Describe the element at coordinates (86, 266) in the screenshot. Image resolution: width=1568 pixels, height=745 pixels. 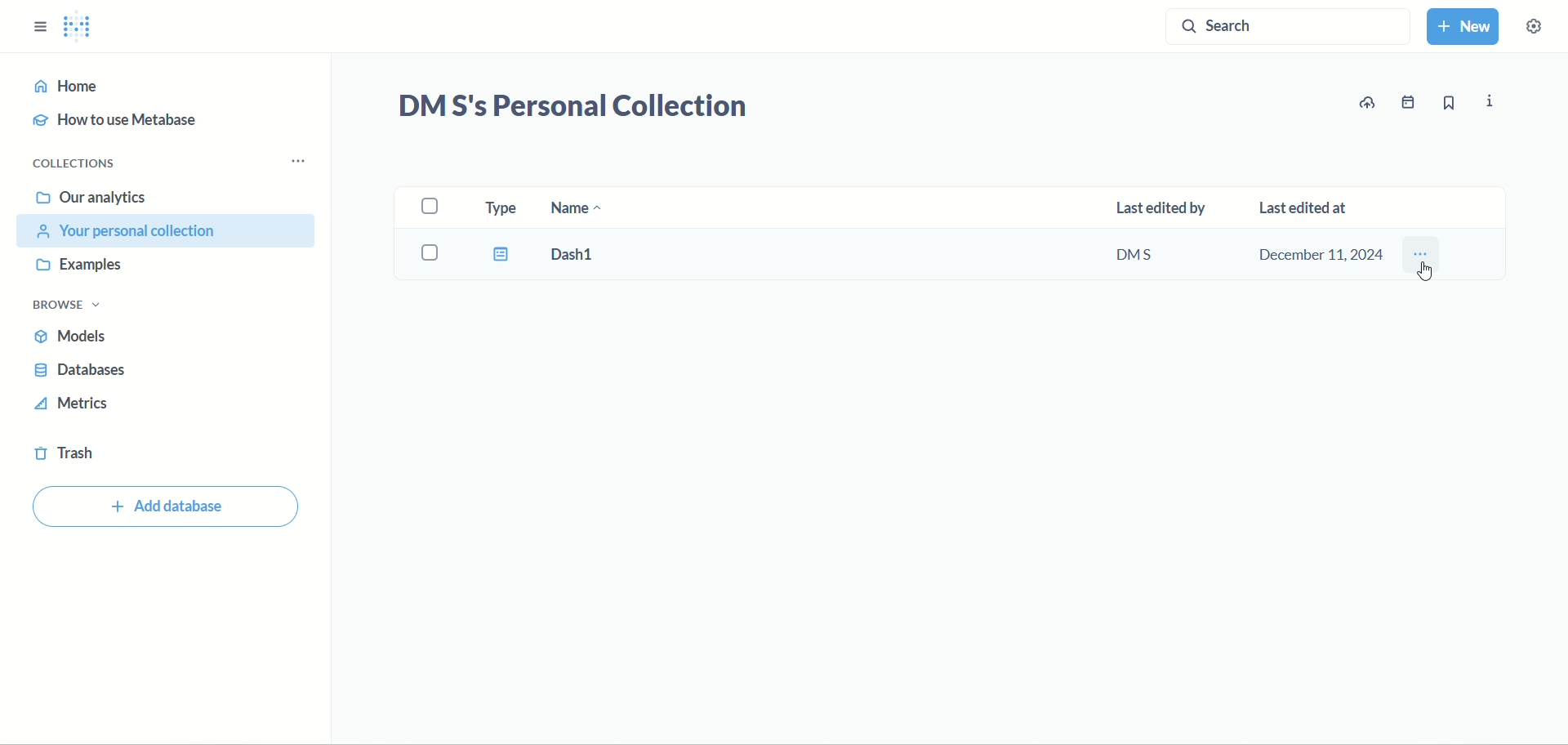
I see `examples` at that location.